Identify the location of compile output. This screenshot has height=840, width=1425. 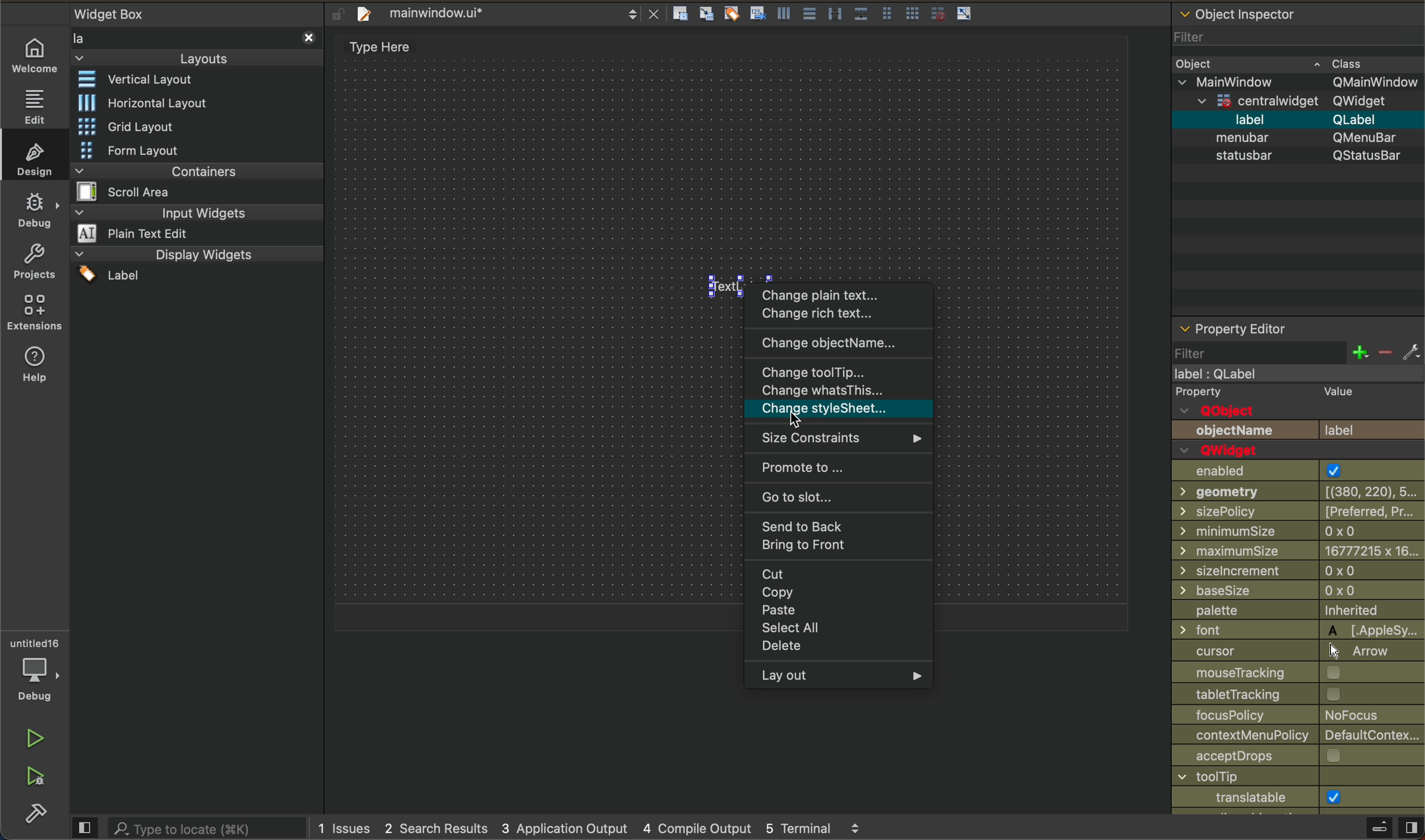
(696, 828).